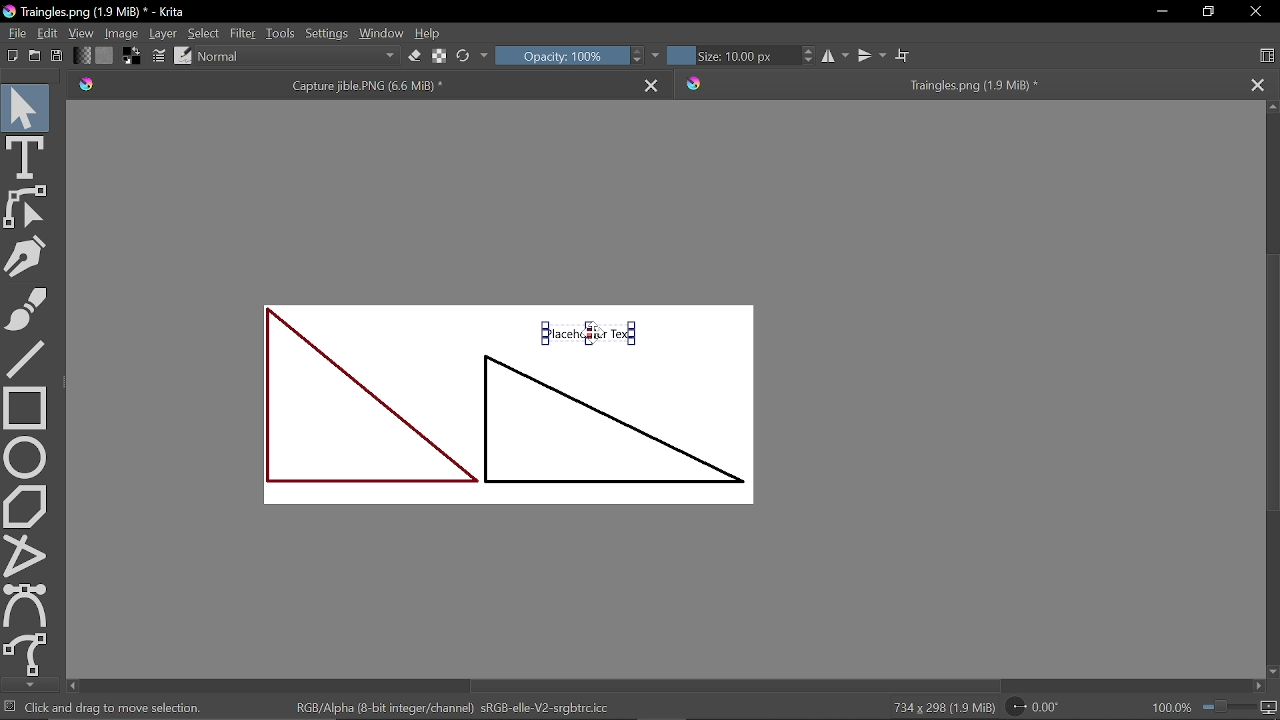 The image size is (1280, 720). I want to click on New document, so click(10, 56).